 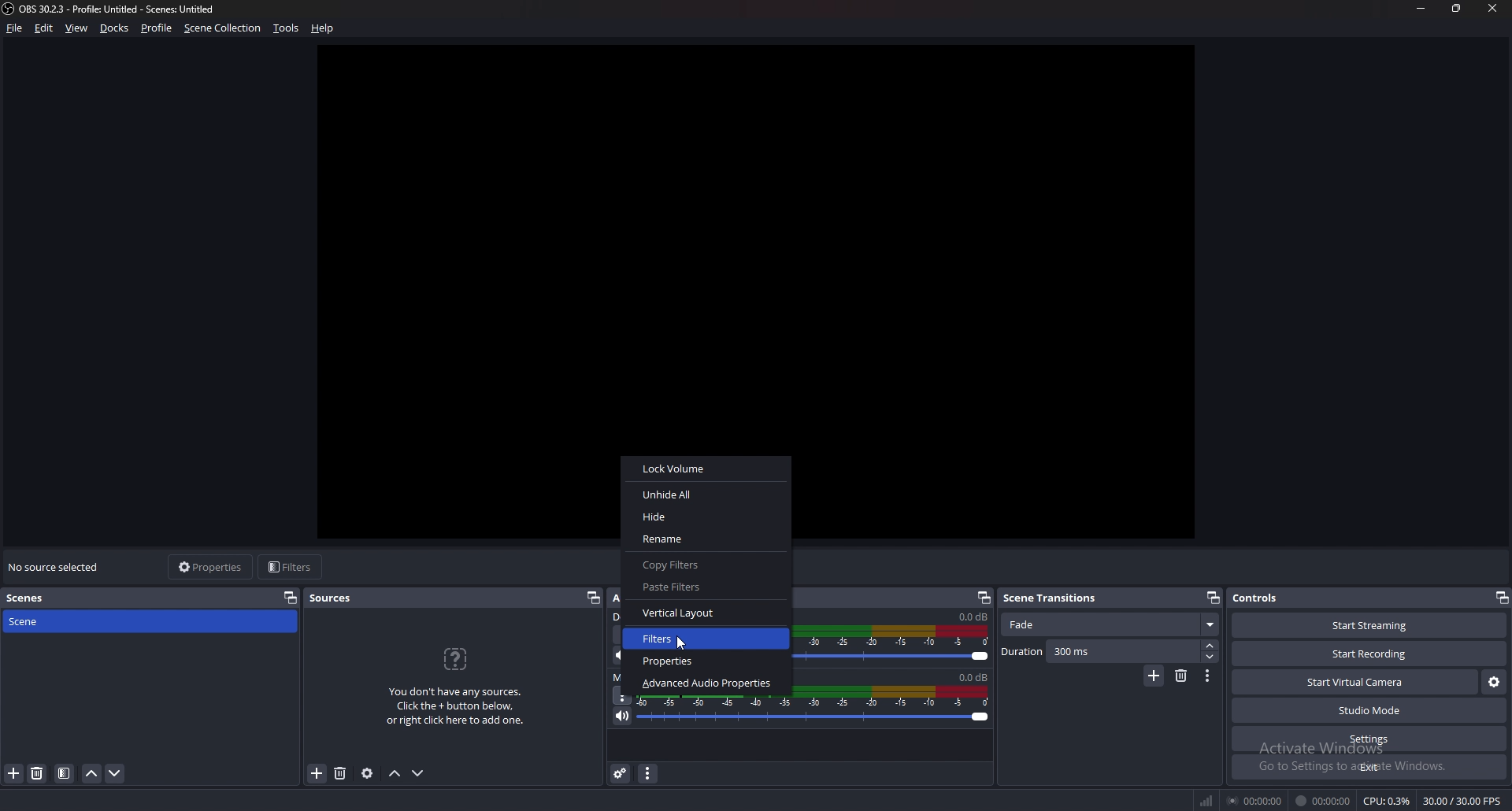 What do you see at coordinates (762, 246) in the screenshot?
I see `preview` at bounding box center [762, 246].